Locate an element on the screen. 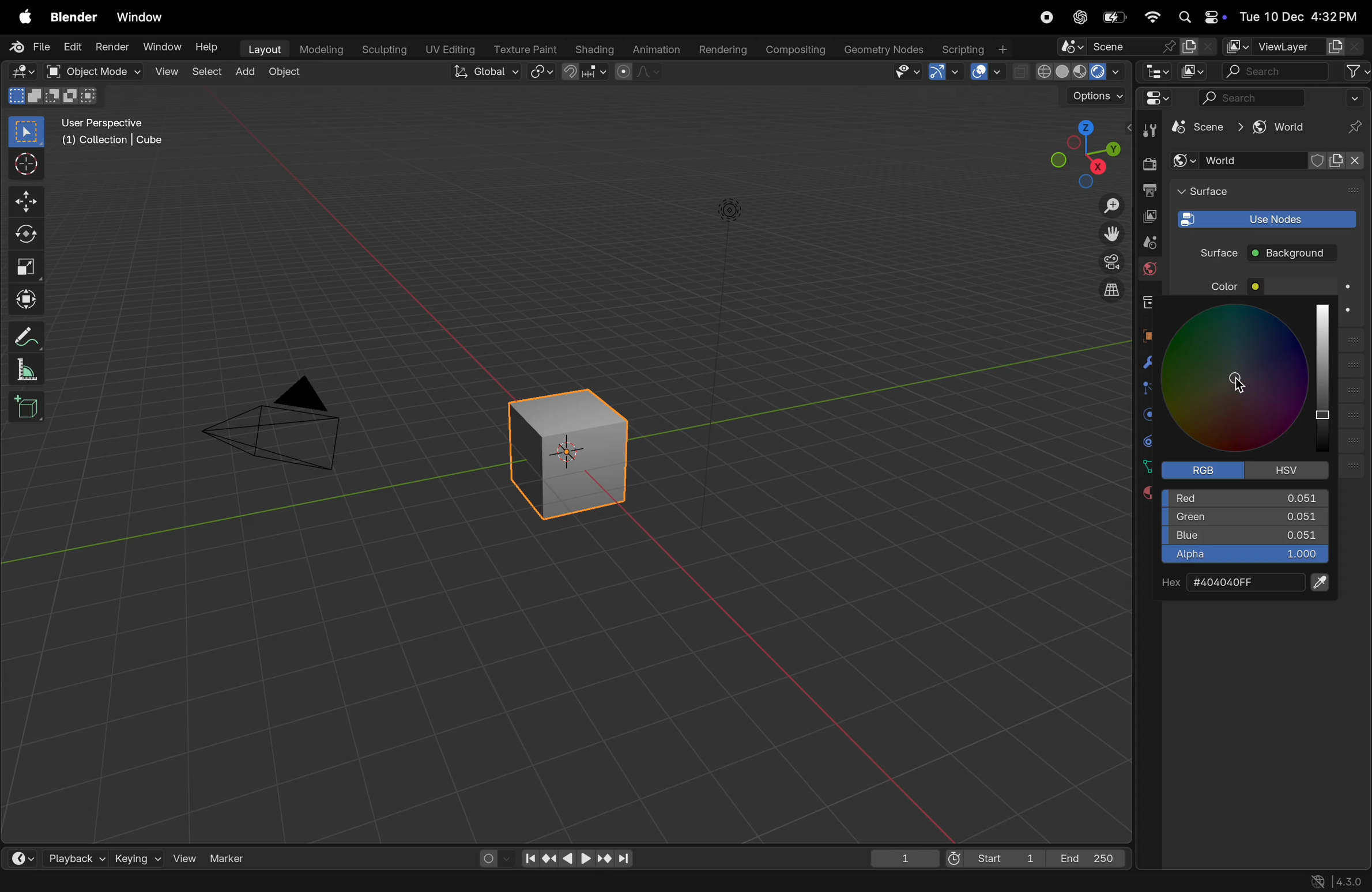  move the view is located at coordinates (1107, 233).